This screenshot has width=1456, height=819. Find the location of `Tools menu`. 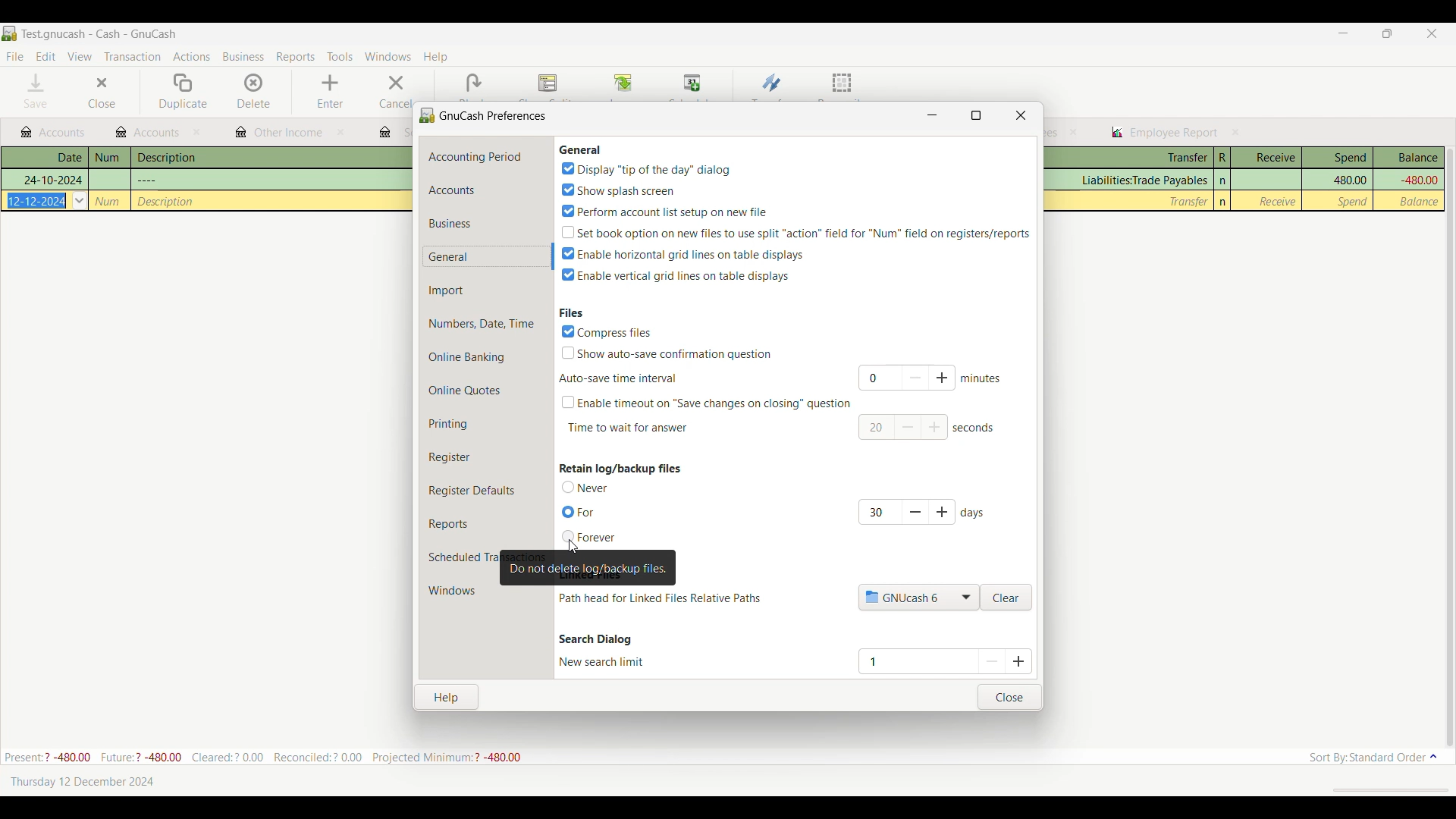

Tools menu is located at coordinates (340, 56).